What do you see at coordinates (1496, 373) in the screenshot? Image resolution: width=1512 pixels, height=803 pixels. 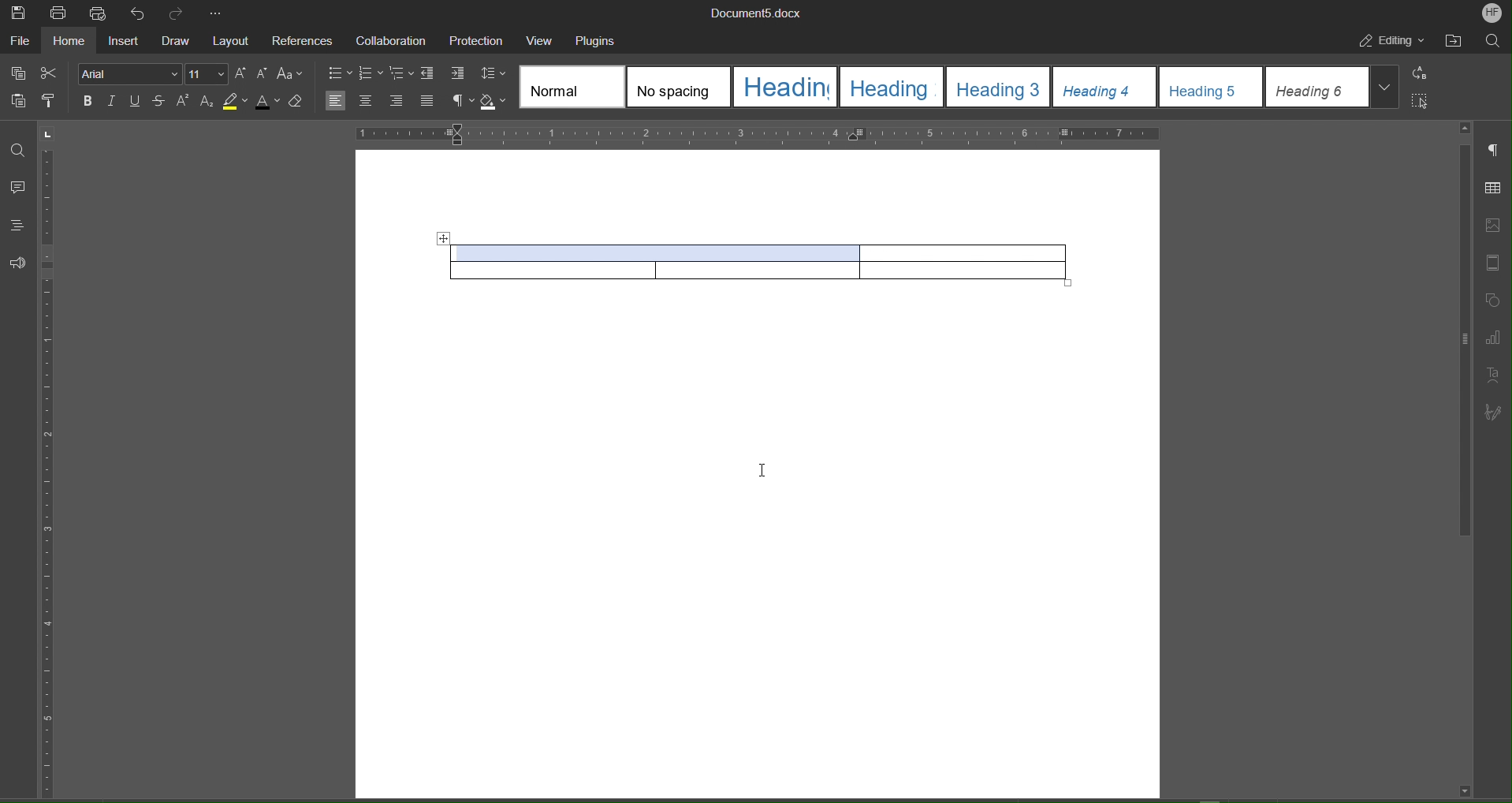 I see `Text Art` at bounding box center [1496, 373].